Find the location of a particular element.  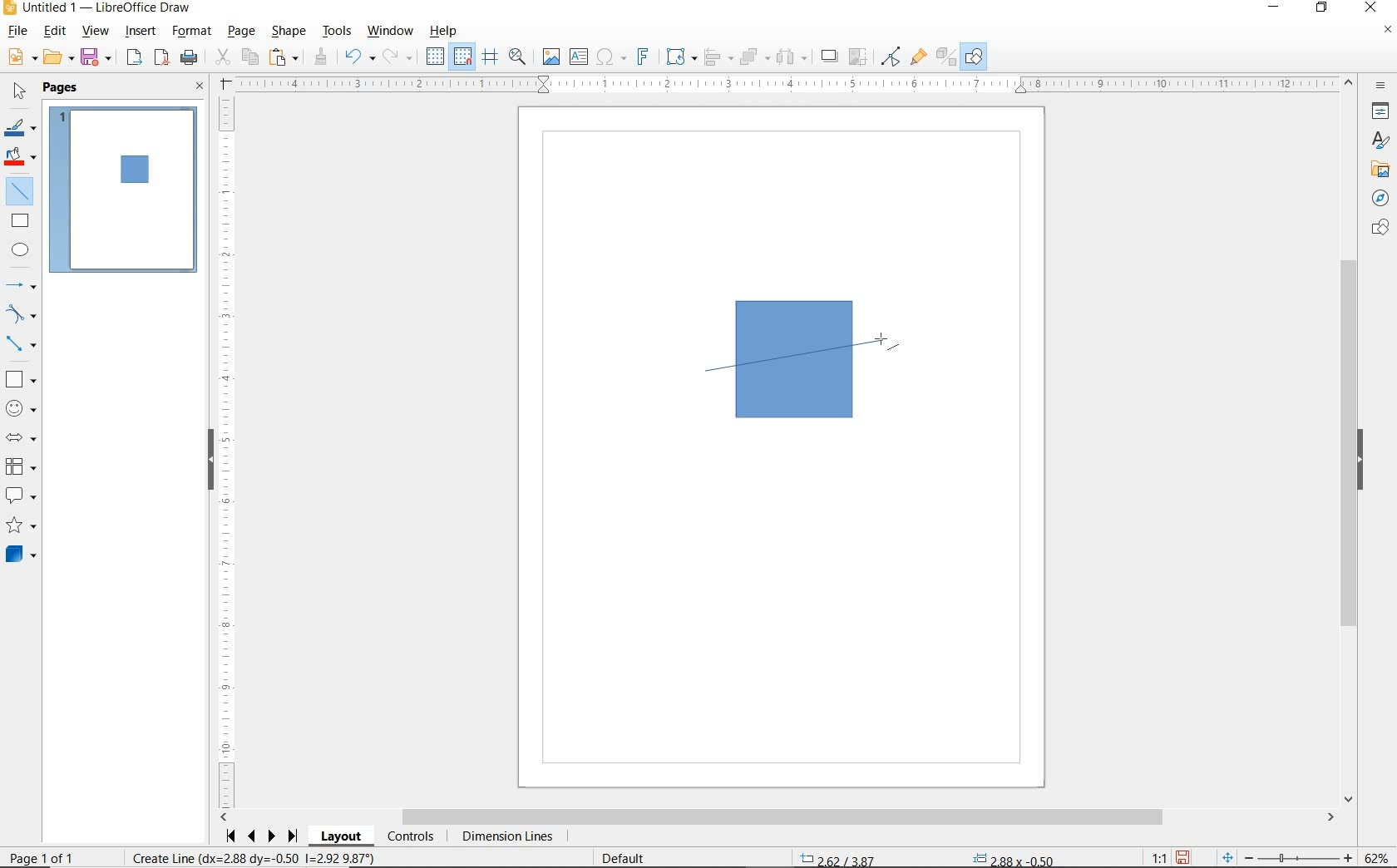

CROP IMAGE is located at coordinates (859, 57).